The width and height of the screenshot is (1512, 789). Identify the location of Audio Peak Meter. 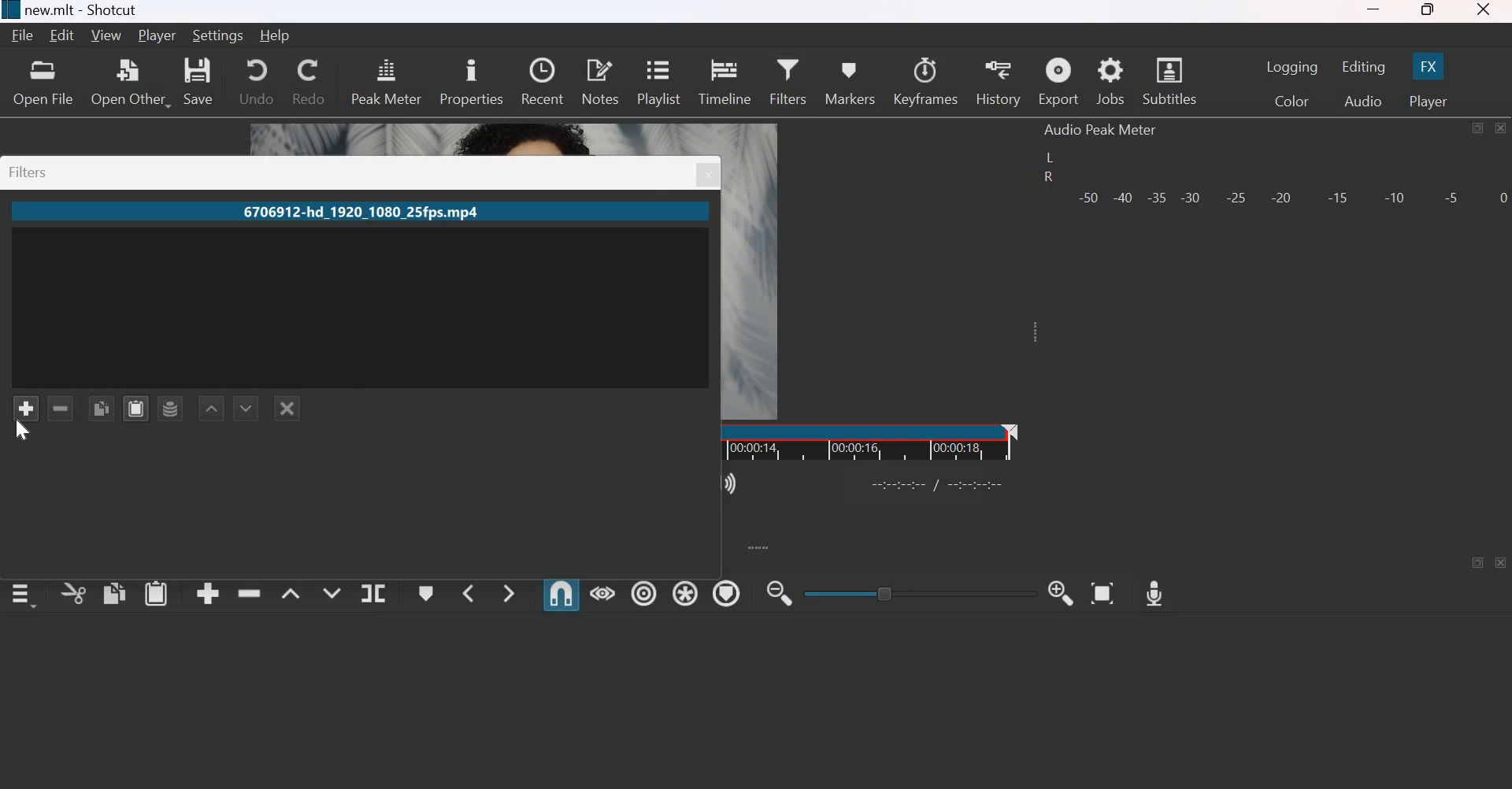
(1101, 130).